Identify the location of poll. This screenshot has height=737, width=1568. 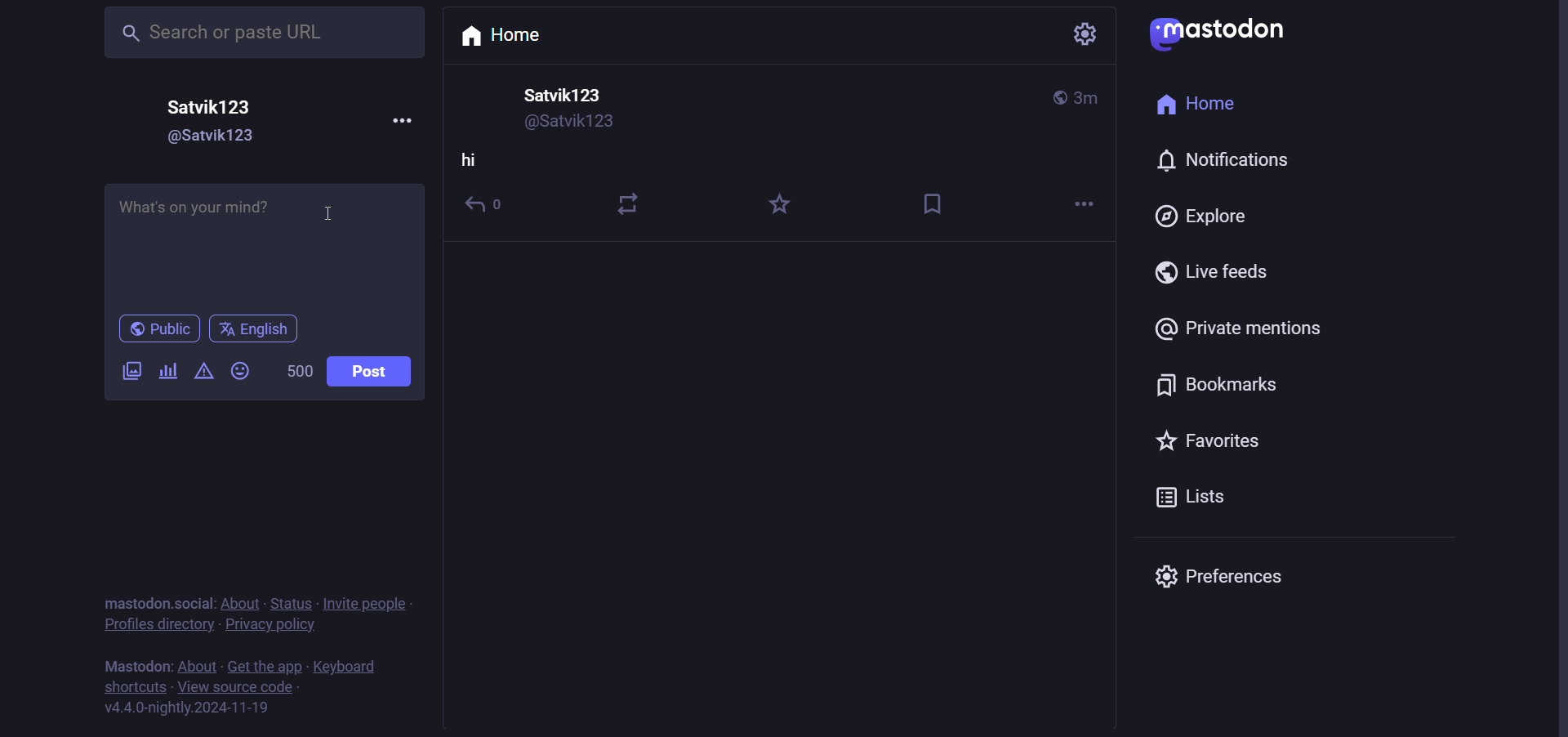
(165, 370).